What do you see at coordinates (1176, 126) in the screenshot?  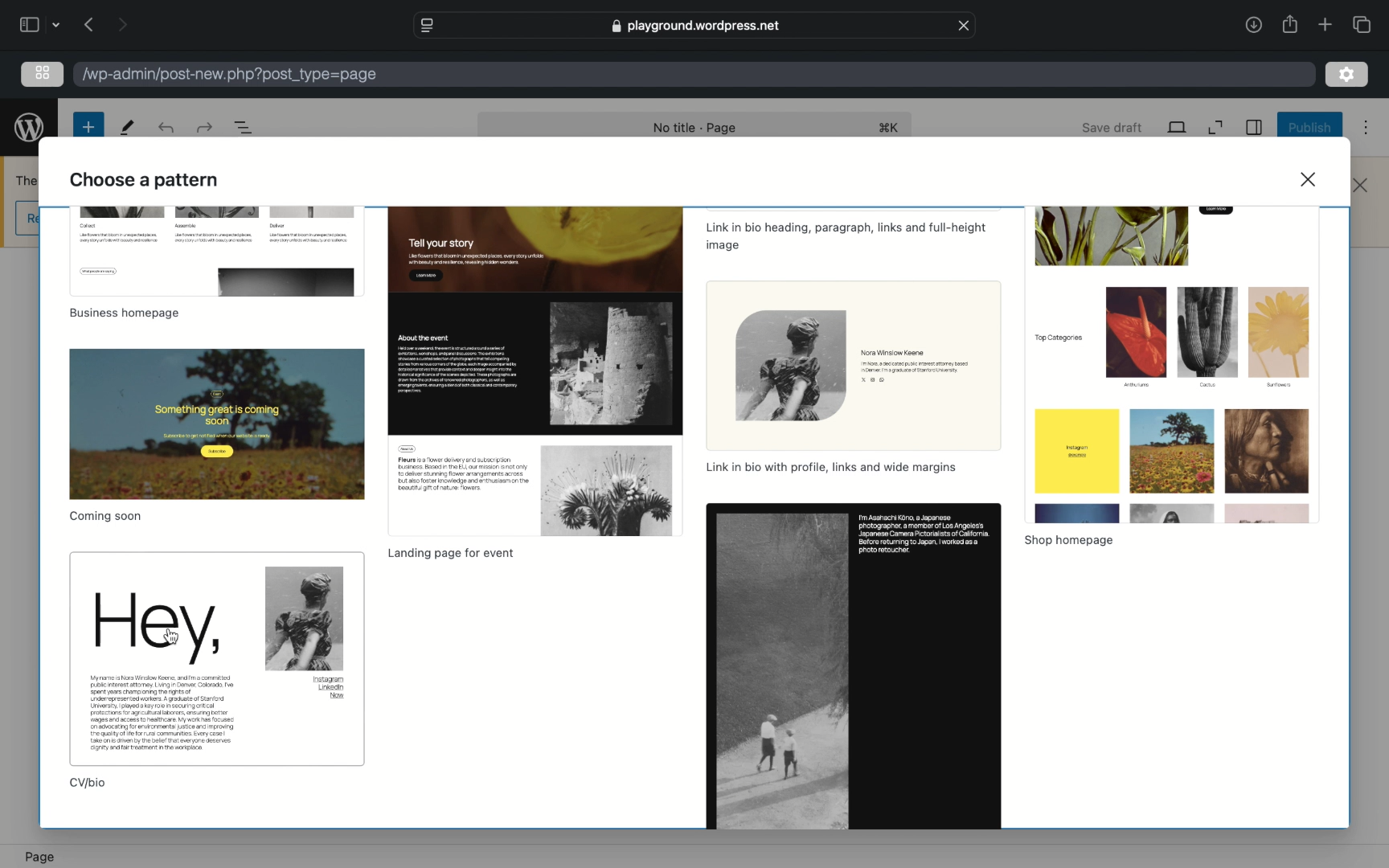 I see `view` at bounding box center [1176, 126].